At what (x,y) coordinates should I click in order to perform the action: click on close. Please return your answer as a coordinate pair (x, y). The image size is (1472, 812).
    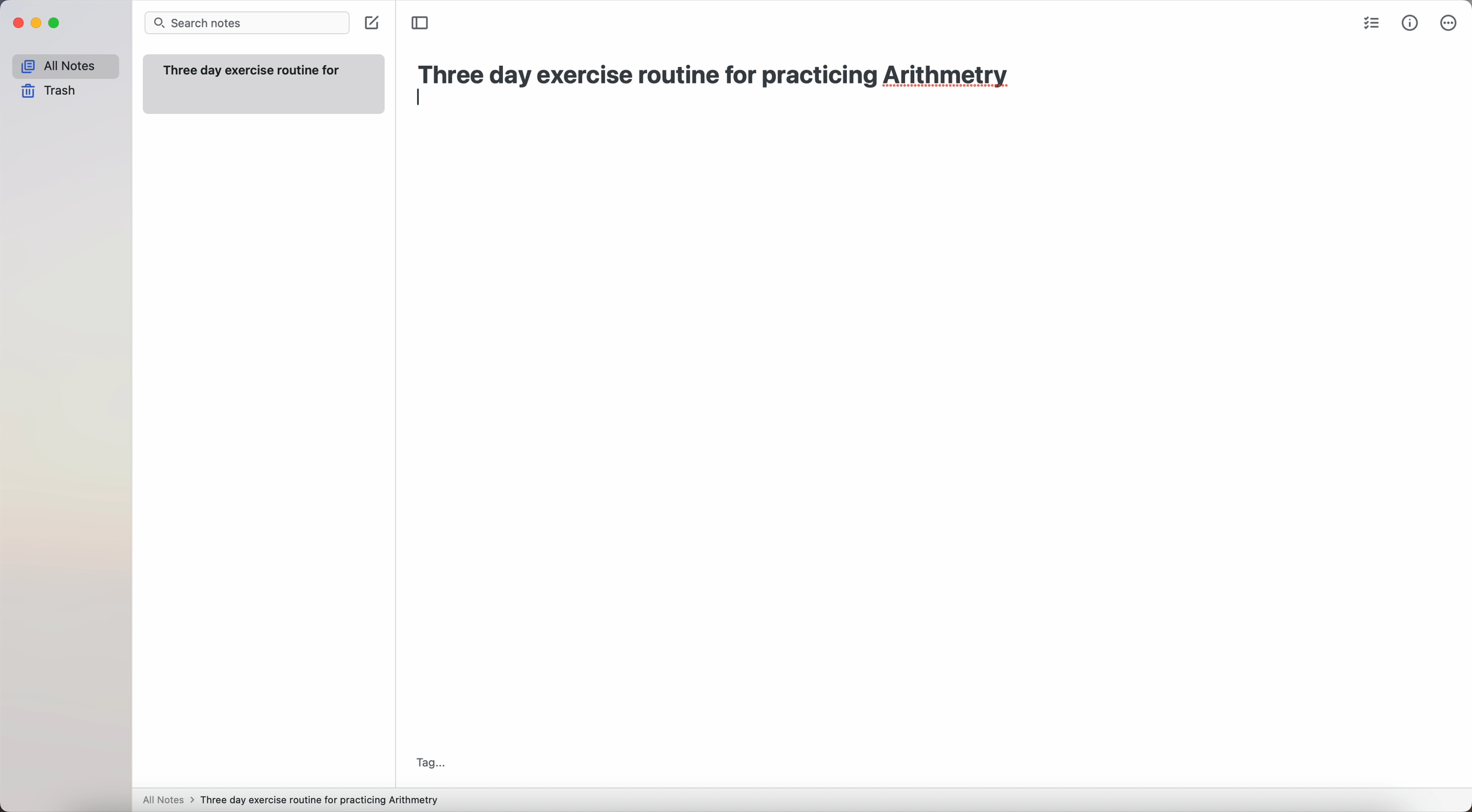
    Looking at the image, I should click on (18, 23).